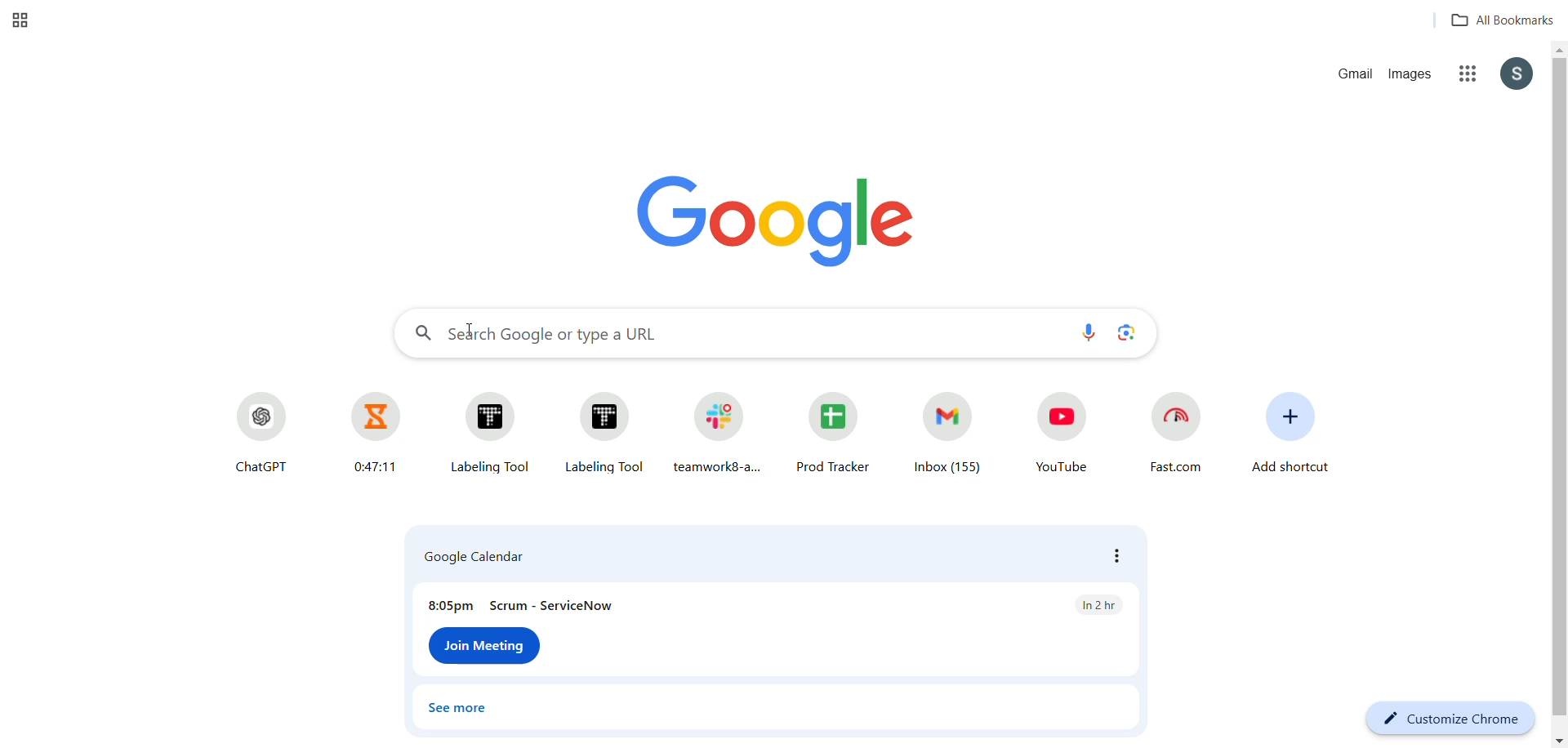 The width and height of the screenshot is (1568, 748). I want to click on Fast.com, so click(1173, 436).